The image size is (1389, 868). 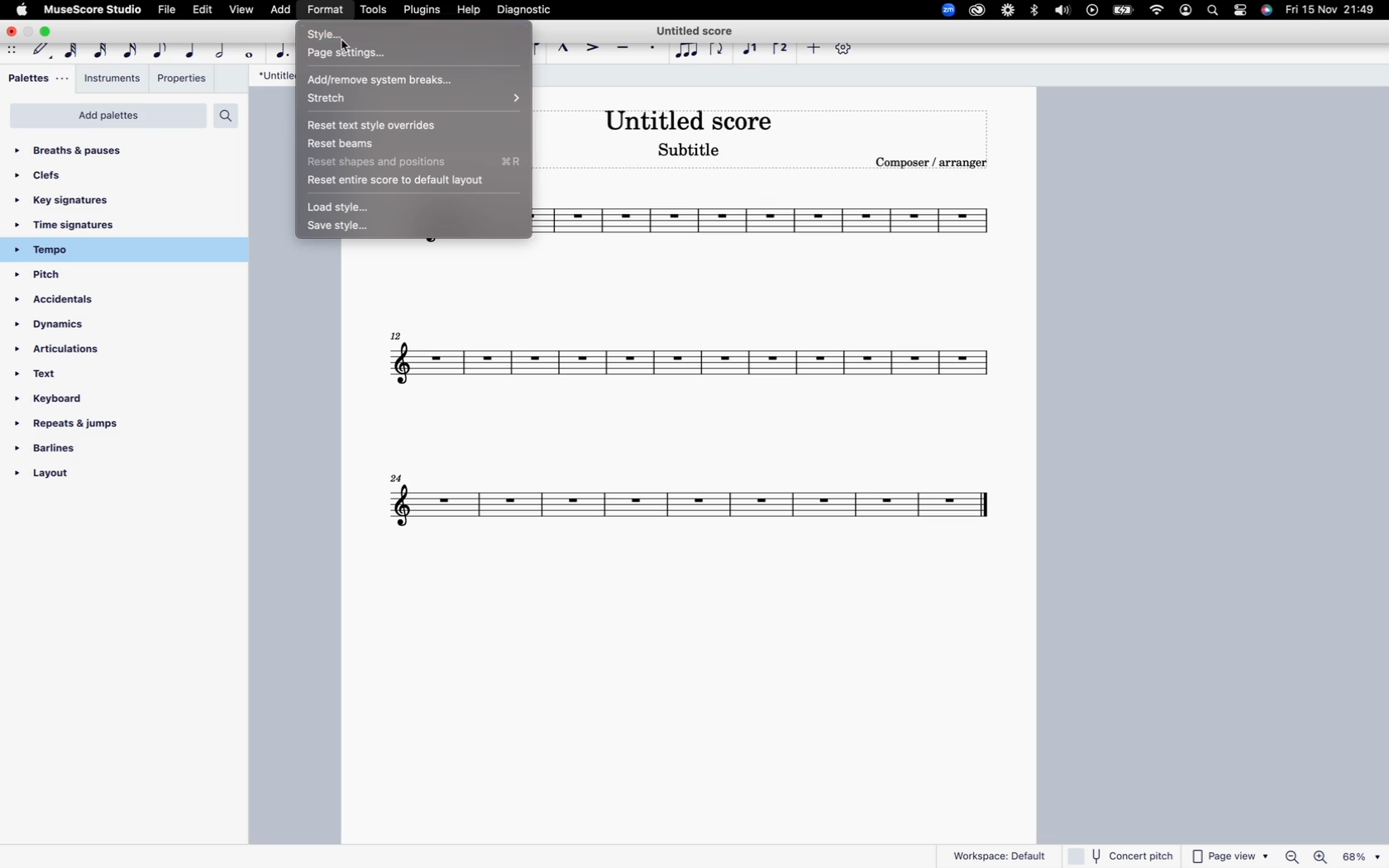 I want to click on siri, so click(x=1267, y=12).